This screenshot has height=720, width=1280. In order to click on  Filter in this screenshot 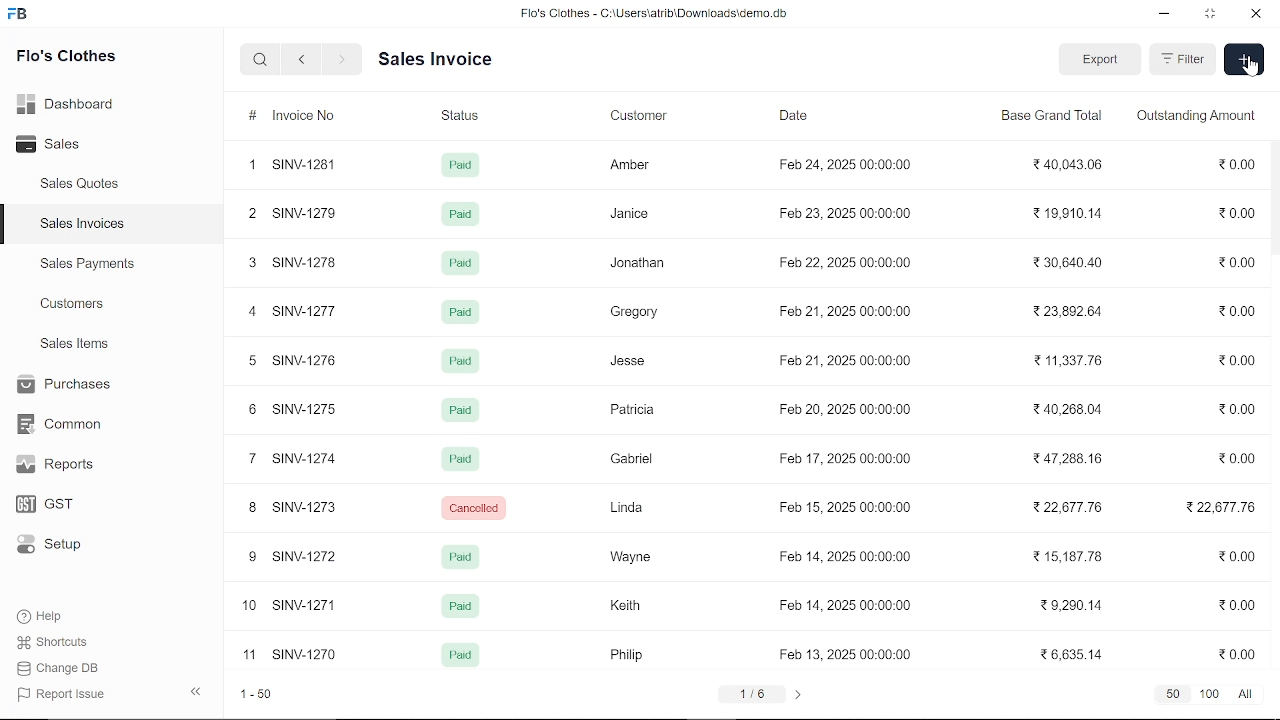, I will do `click(1183, 59)`.